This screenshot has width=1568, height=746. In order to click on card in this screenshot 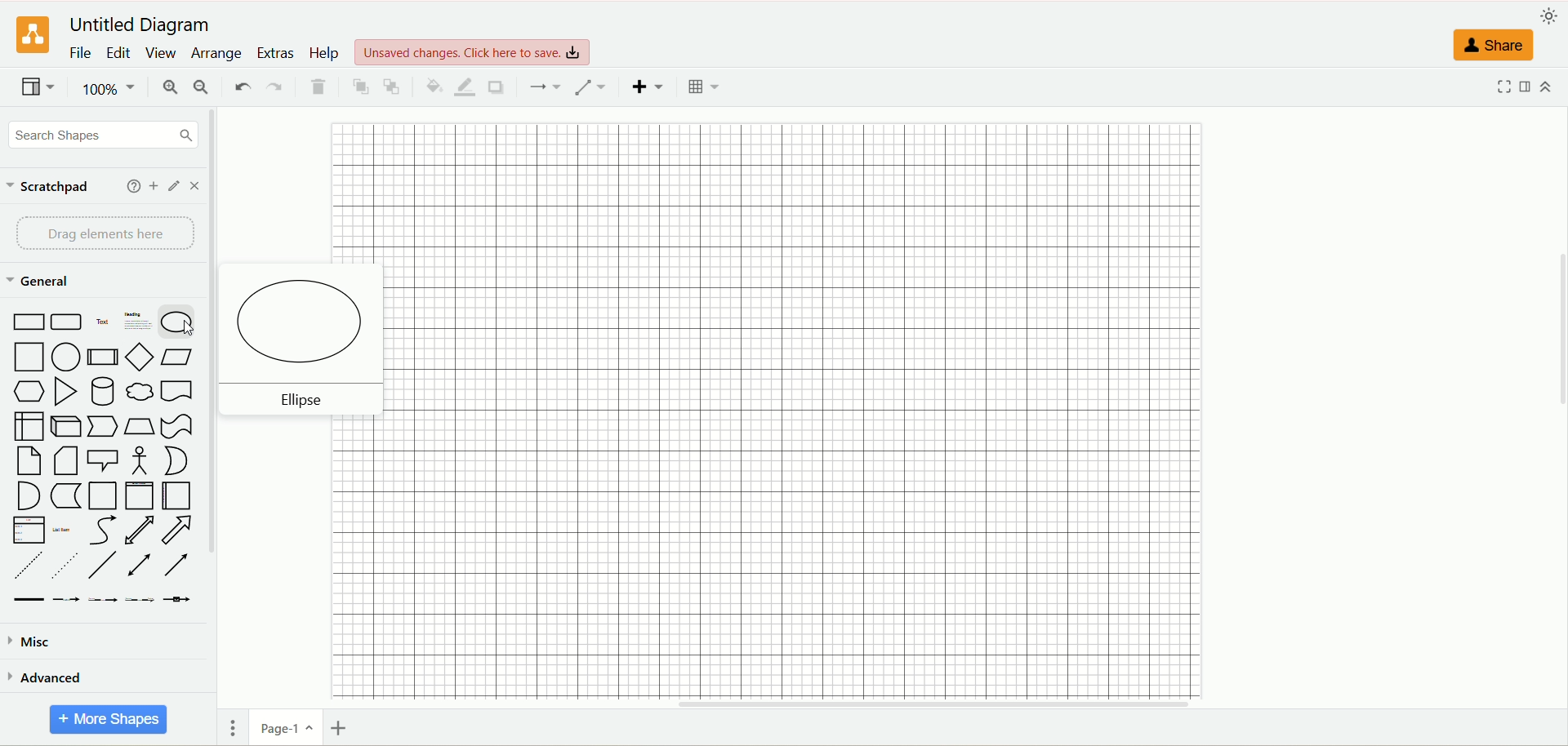, I will do `click(63, 461)`.